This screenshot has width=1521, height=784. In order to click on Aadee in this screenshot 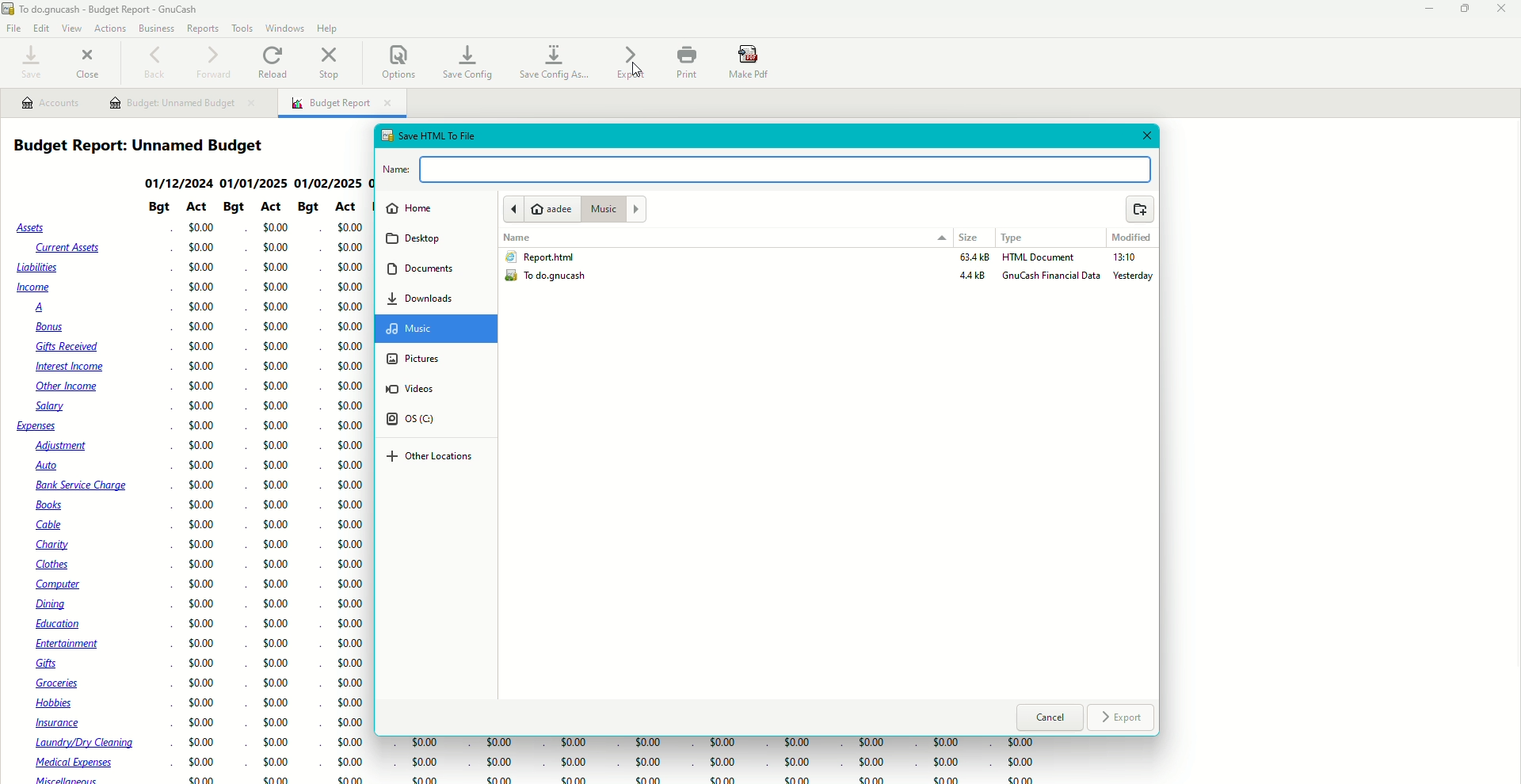, I will do `click(539, 209)`.